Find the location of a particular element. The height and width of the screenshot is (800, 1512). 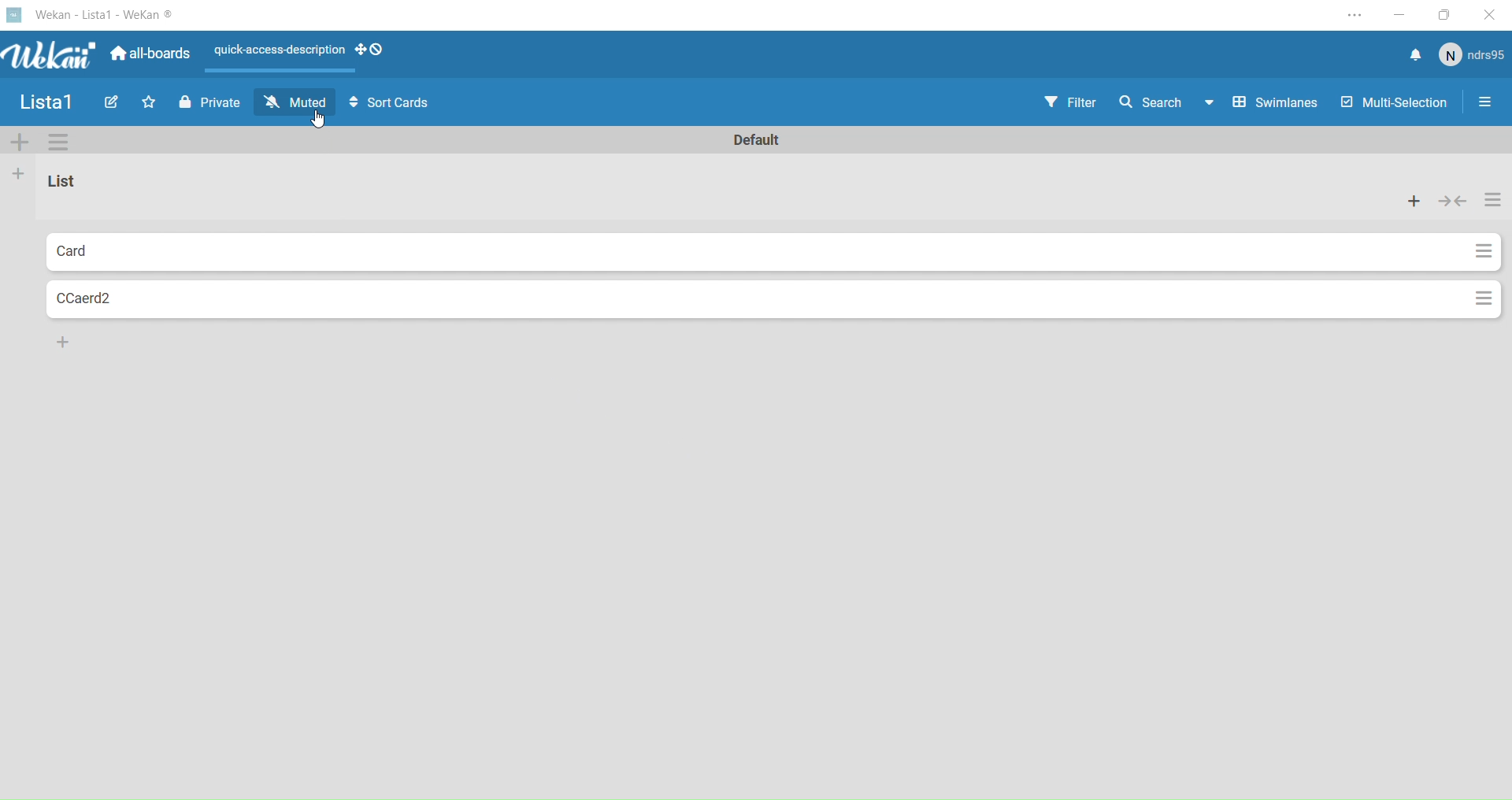

Edit is located at coordinates (111, 103).